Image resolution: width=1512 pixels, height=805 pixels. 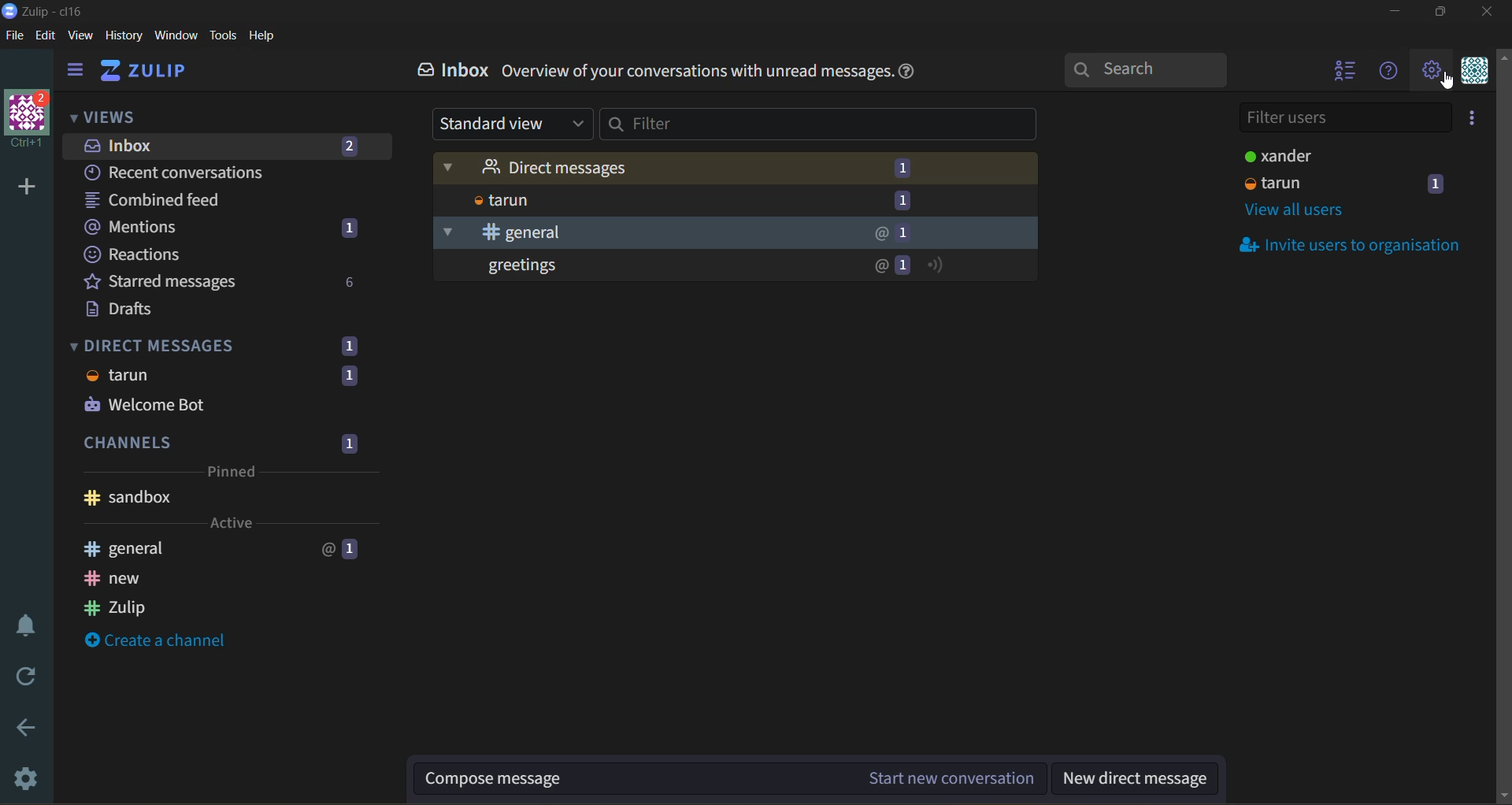 What do you see at coordinates (220, 173) in the screenshot?
I see `recent conversations` at bounding box center [220, 173].